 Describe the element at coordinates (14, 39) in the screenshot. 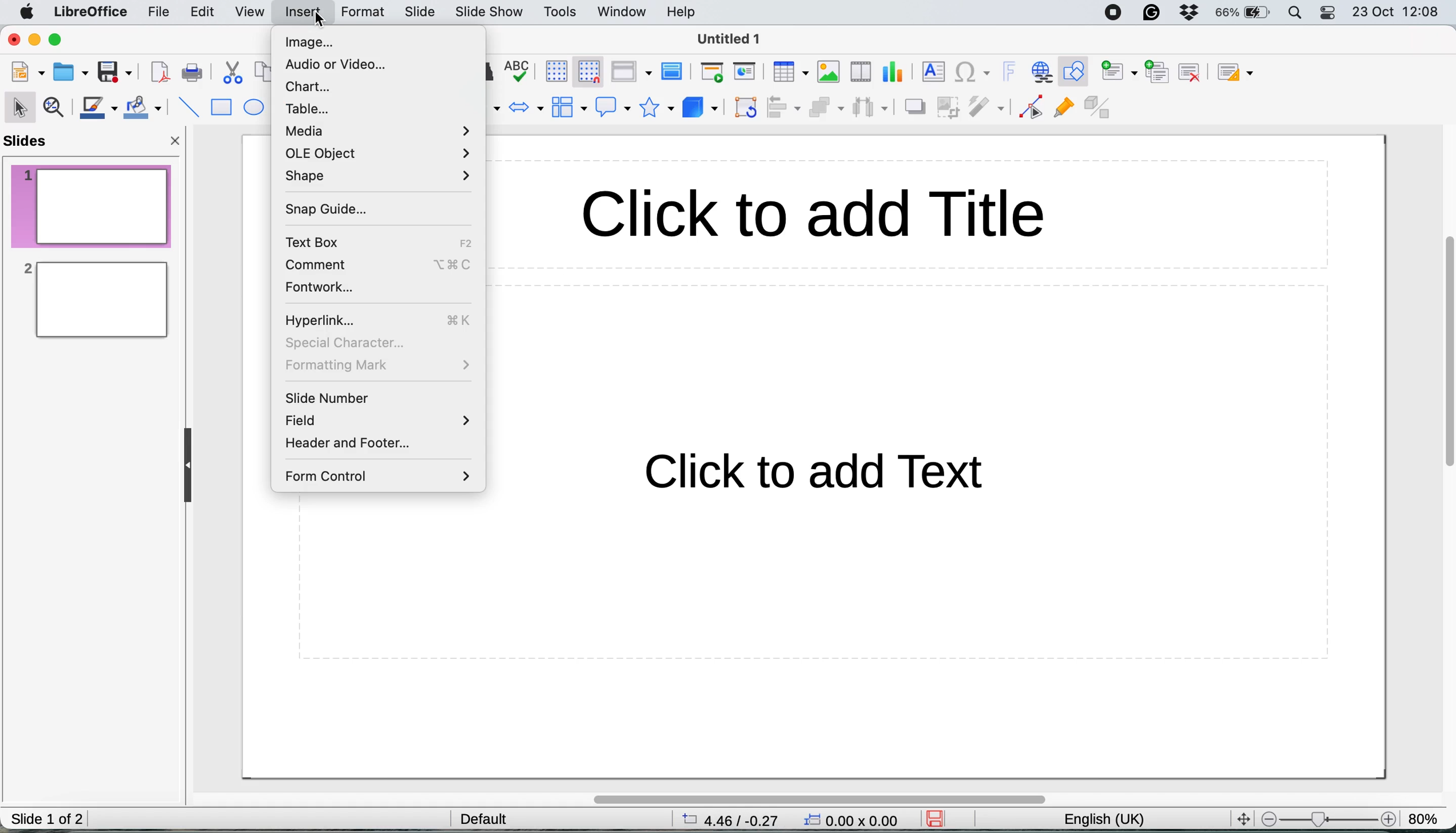

I see `close` at that location.